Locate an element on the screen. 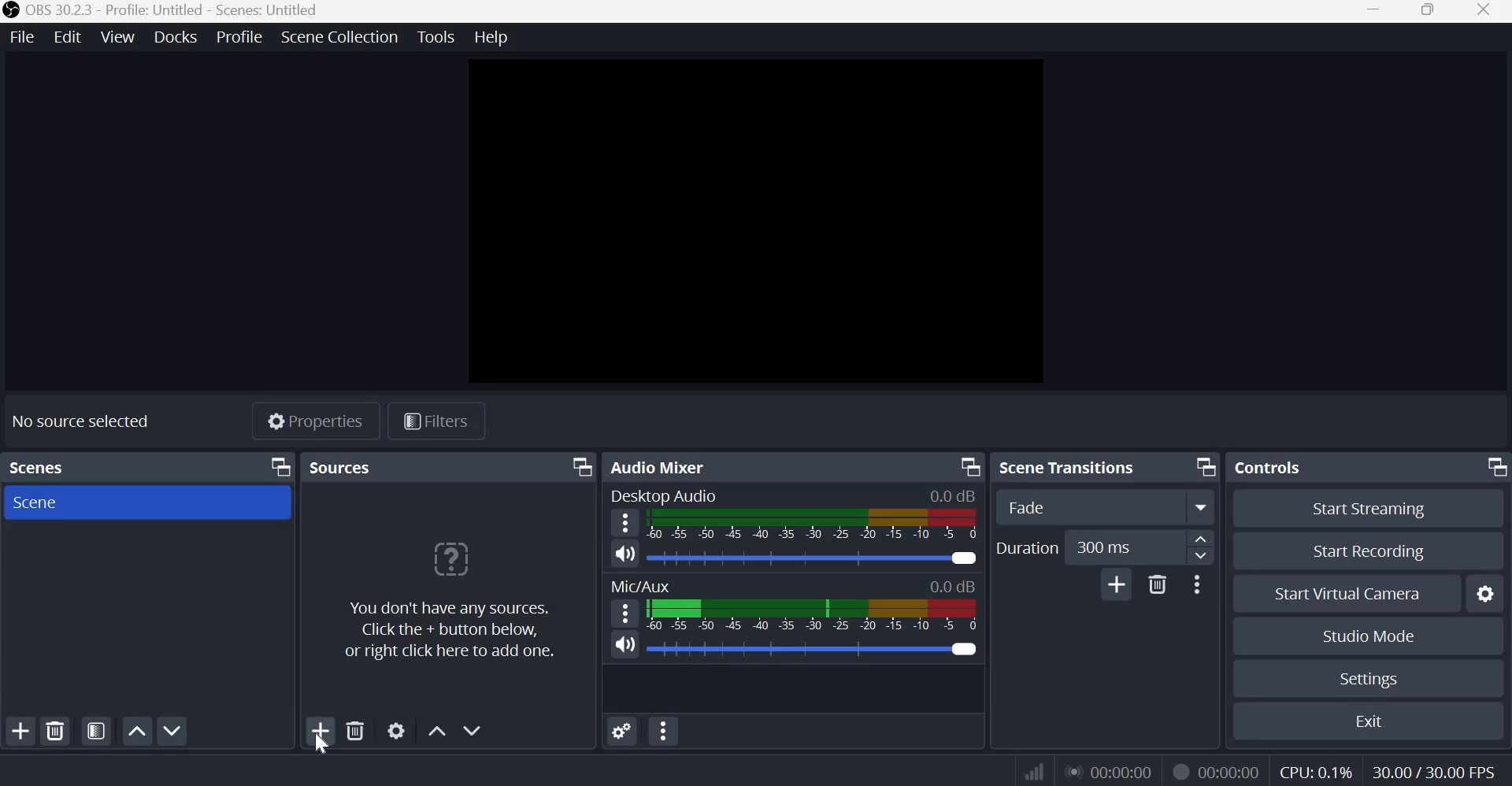 This screenshot has width=1512, height=786. Tools is located at coordinates (437, 36).